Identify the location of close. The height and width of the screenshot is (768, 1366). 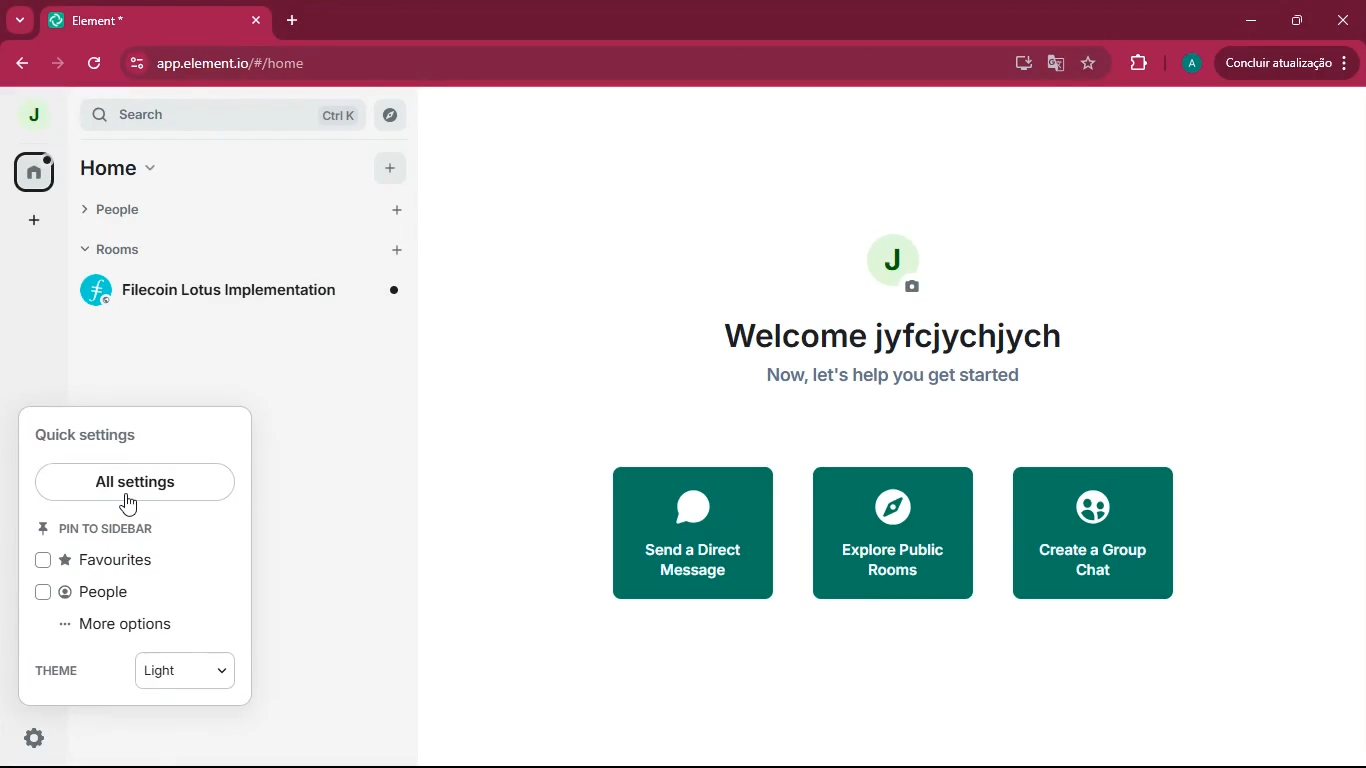
(256, 20).